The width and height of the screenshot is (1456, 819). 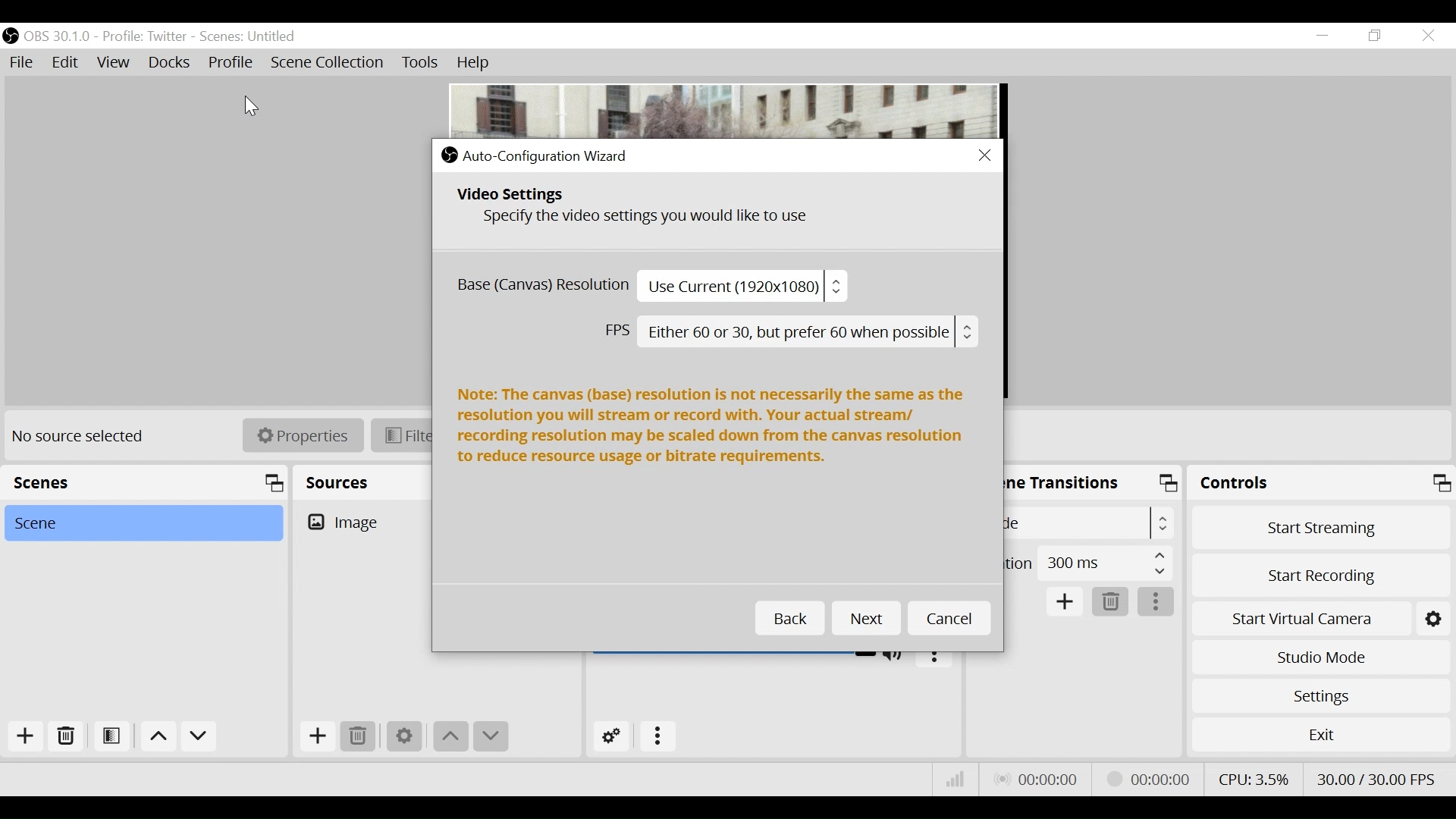 What do you see at coordinates (169, 63) in the screenshot?
I see `Docks` at bounding box center [169, 63].